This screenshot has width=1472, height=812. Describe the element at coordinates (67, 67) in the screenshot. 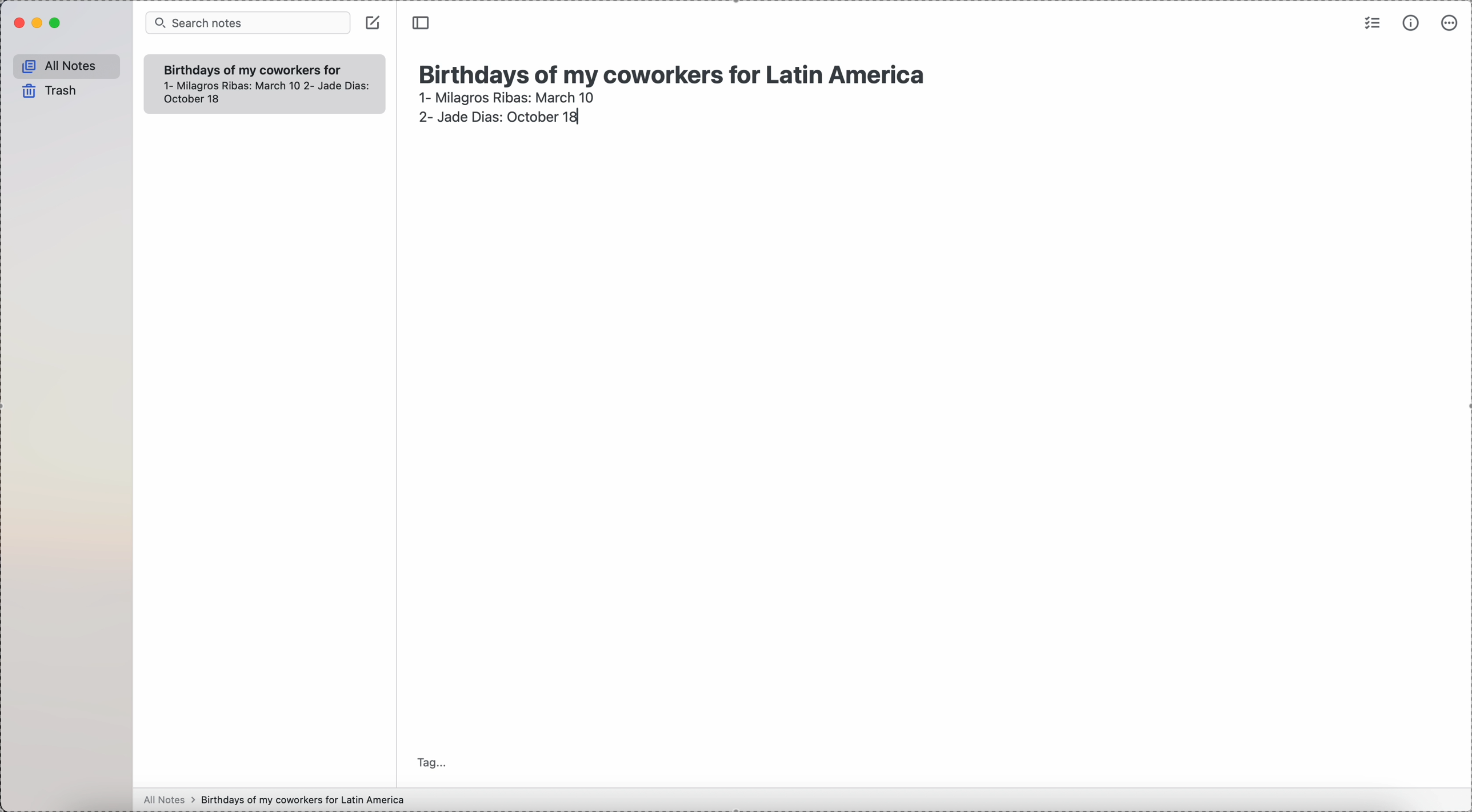

I see `all notes` at that location.